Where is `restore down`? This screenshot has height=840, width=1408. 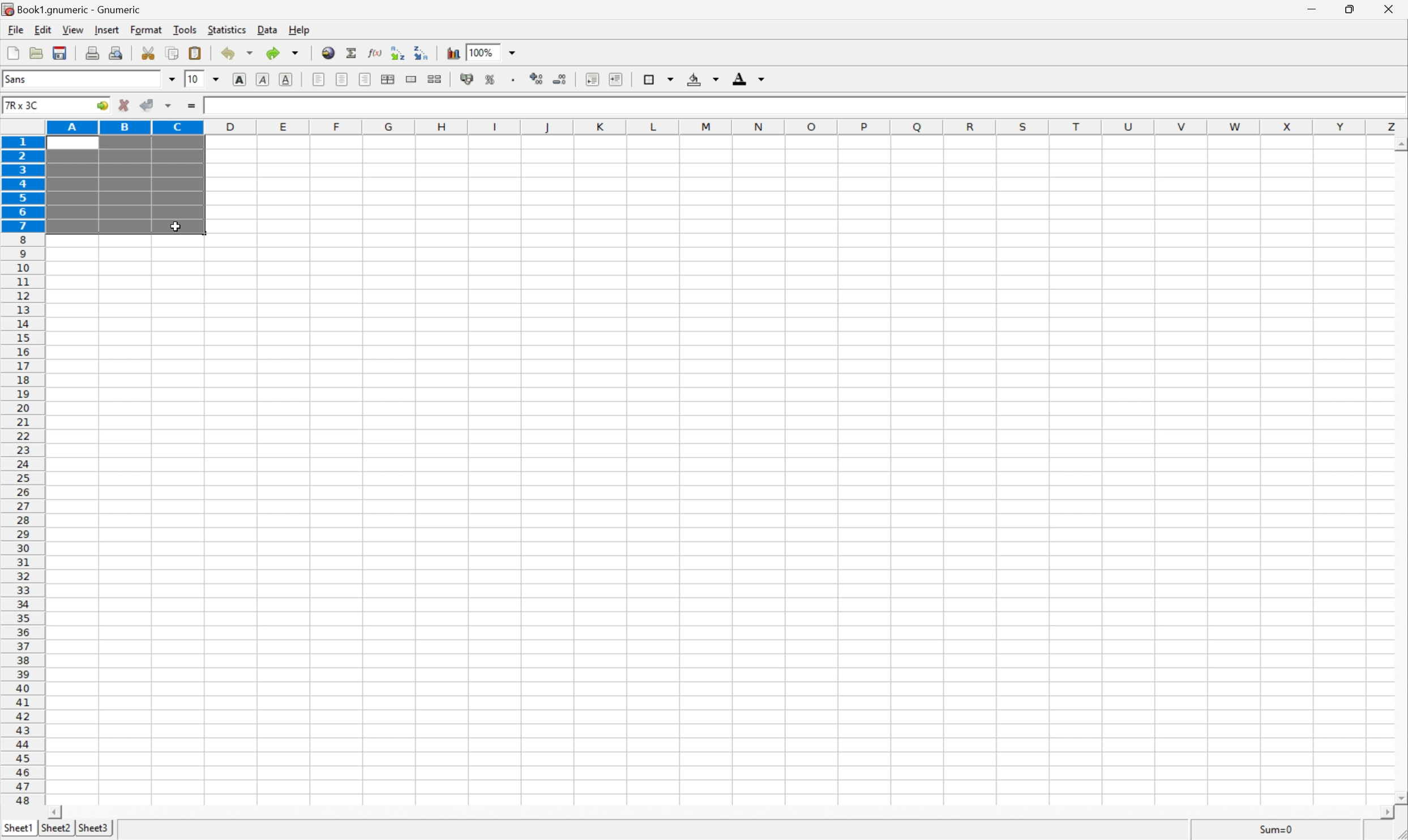 restore down is located at coordinates (1353, 11).